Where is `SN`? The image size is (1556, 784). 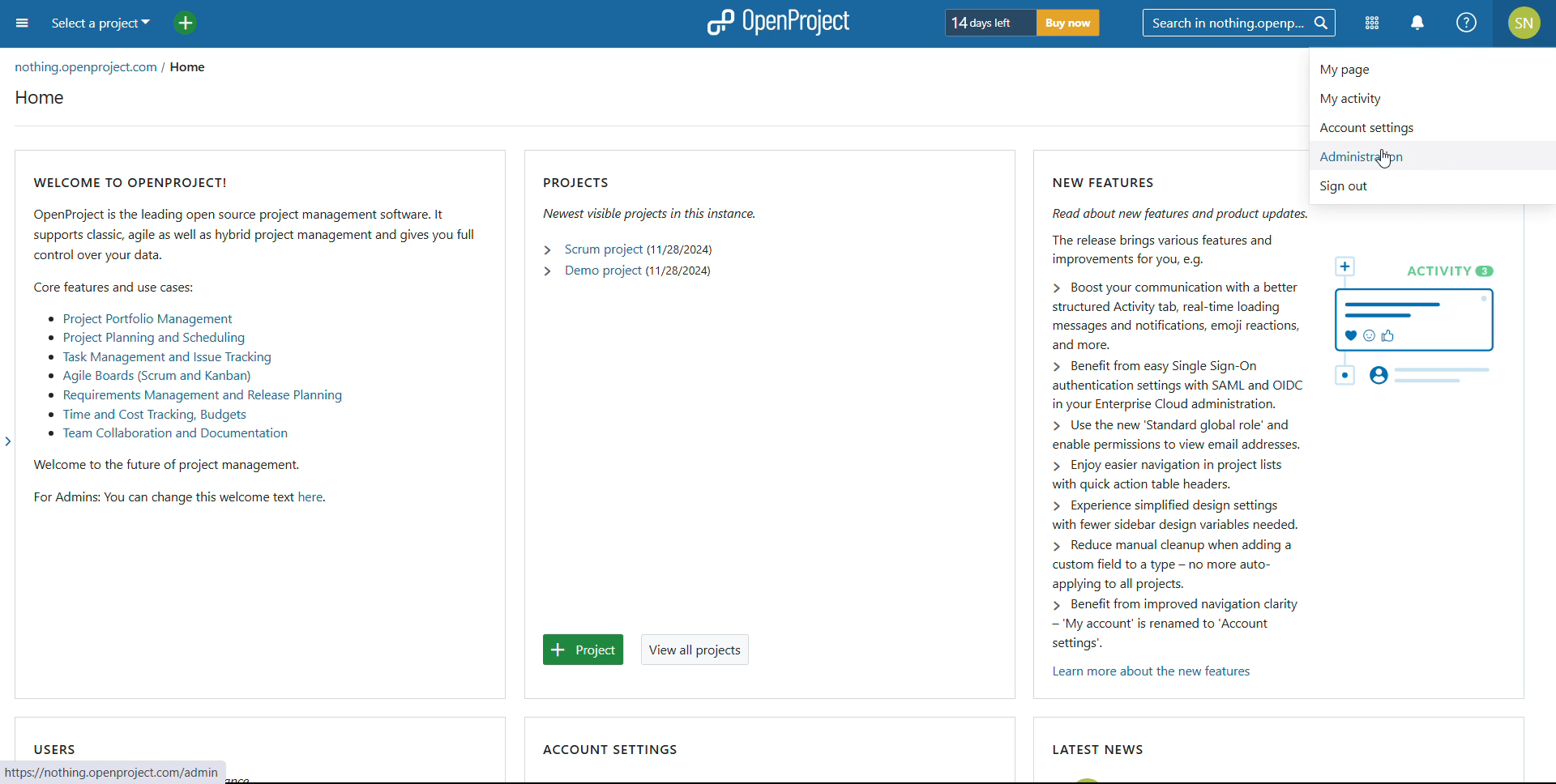 SN is located at coordinates (1526, 23).